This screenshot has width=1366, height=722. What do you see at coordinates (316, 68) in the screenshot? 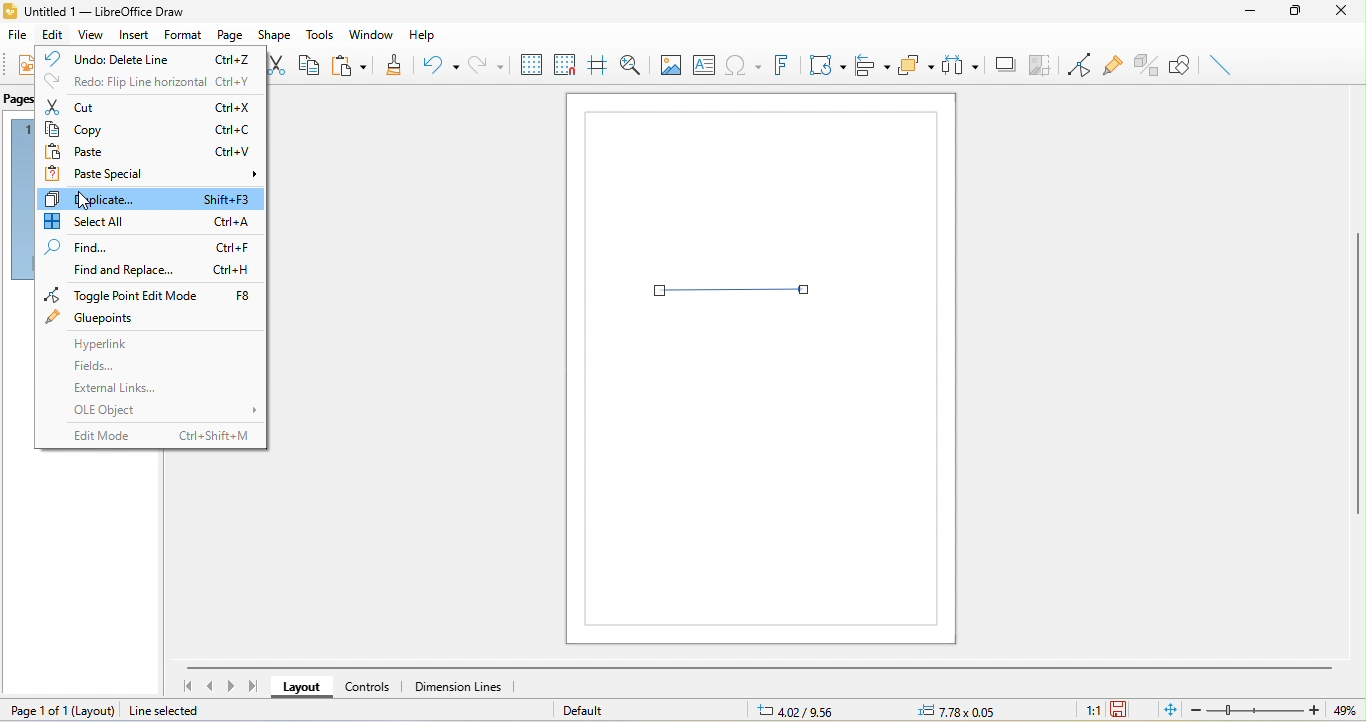
I see `copy` at bounding box center [316, 68].